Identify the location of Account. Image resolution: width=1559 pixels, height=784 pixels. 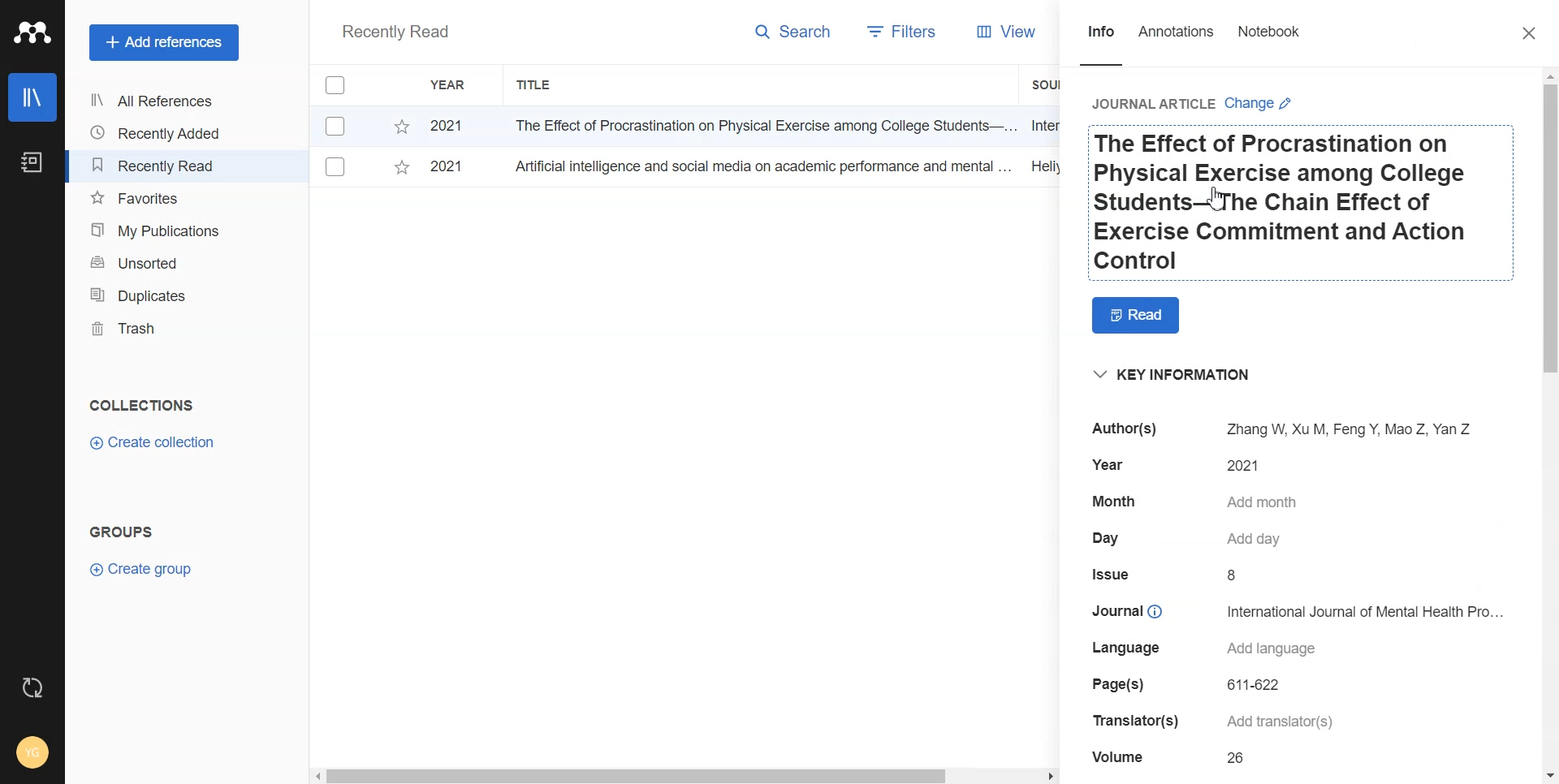
(34, 751).